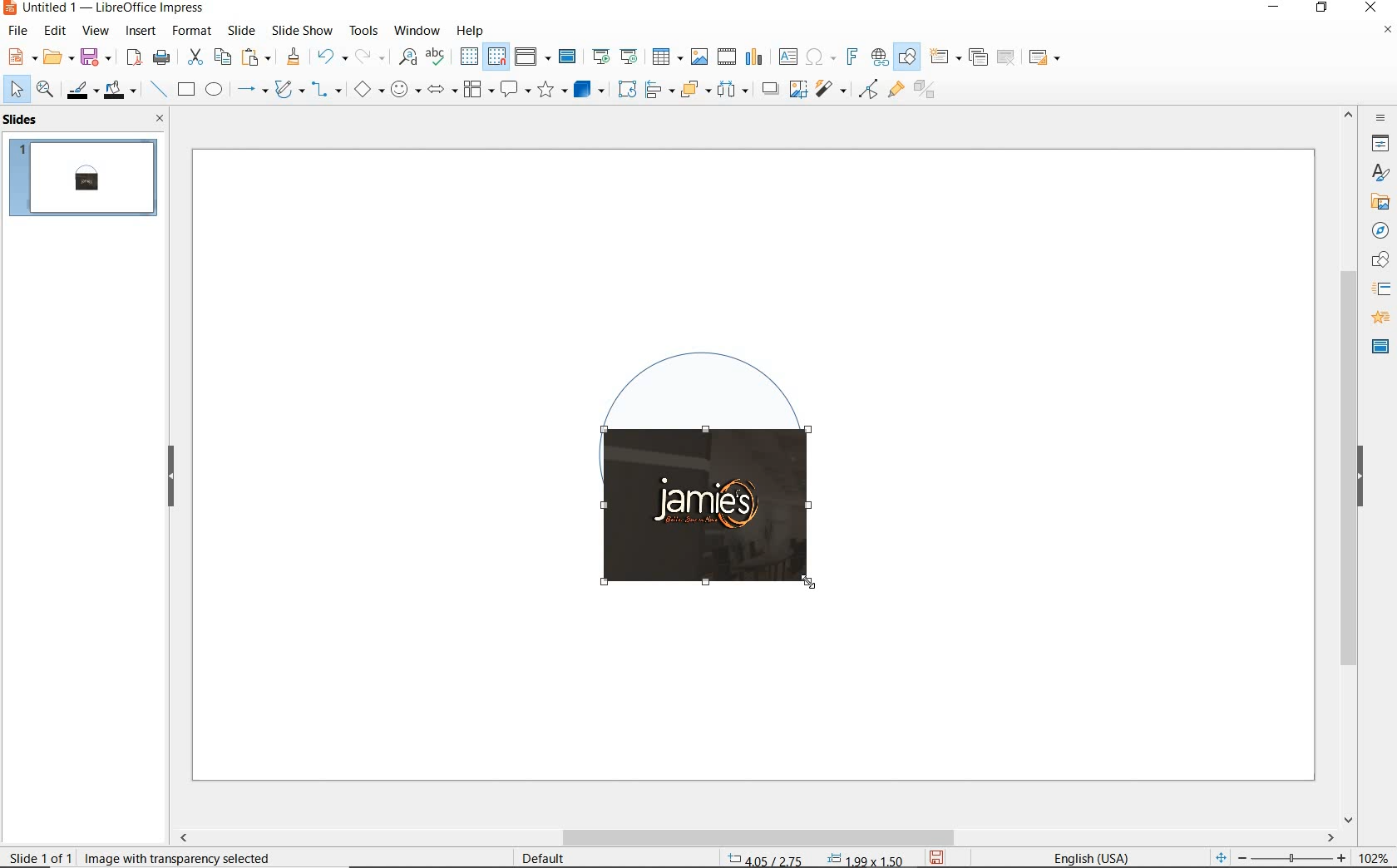 The image size is (1397, 868). What do you see at coordinates (222, 57) in the screenshot?
I see `copy` at bounding box center [222, 57].